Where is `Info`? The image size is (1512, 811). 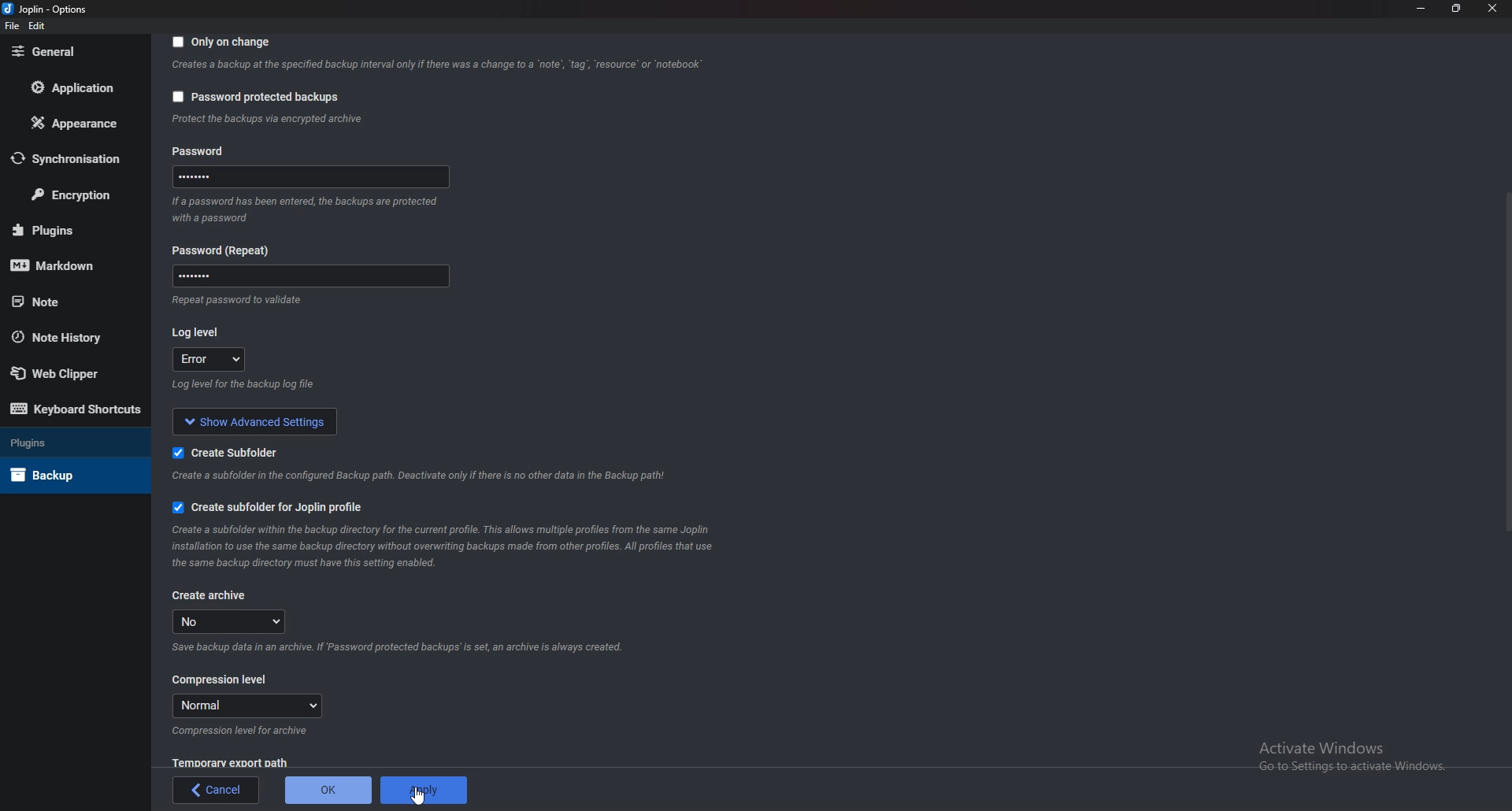
Info is located at coordinates (310, 209).